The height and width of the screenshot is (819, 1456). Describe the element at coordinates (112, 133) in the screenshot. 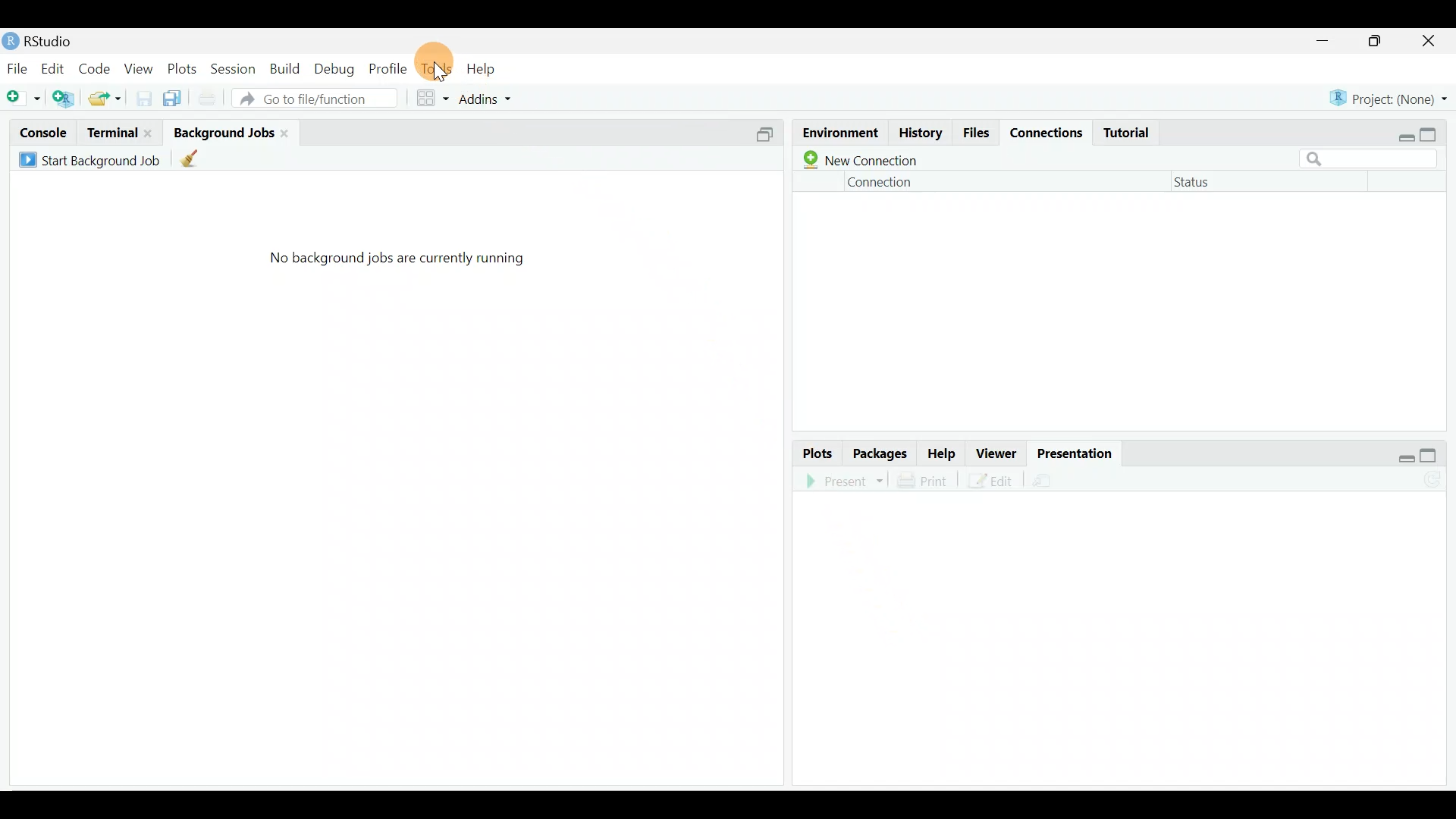

I see `Terminal` at that location.